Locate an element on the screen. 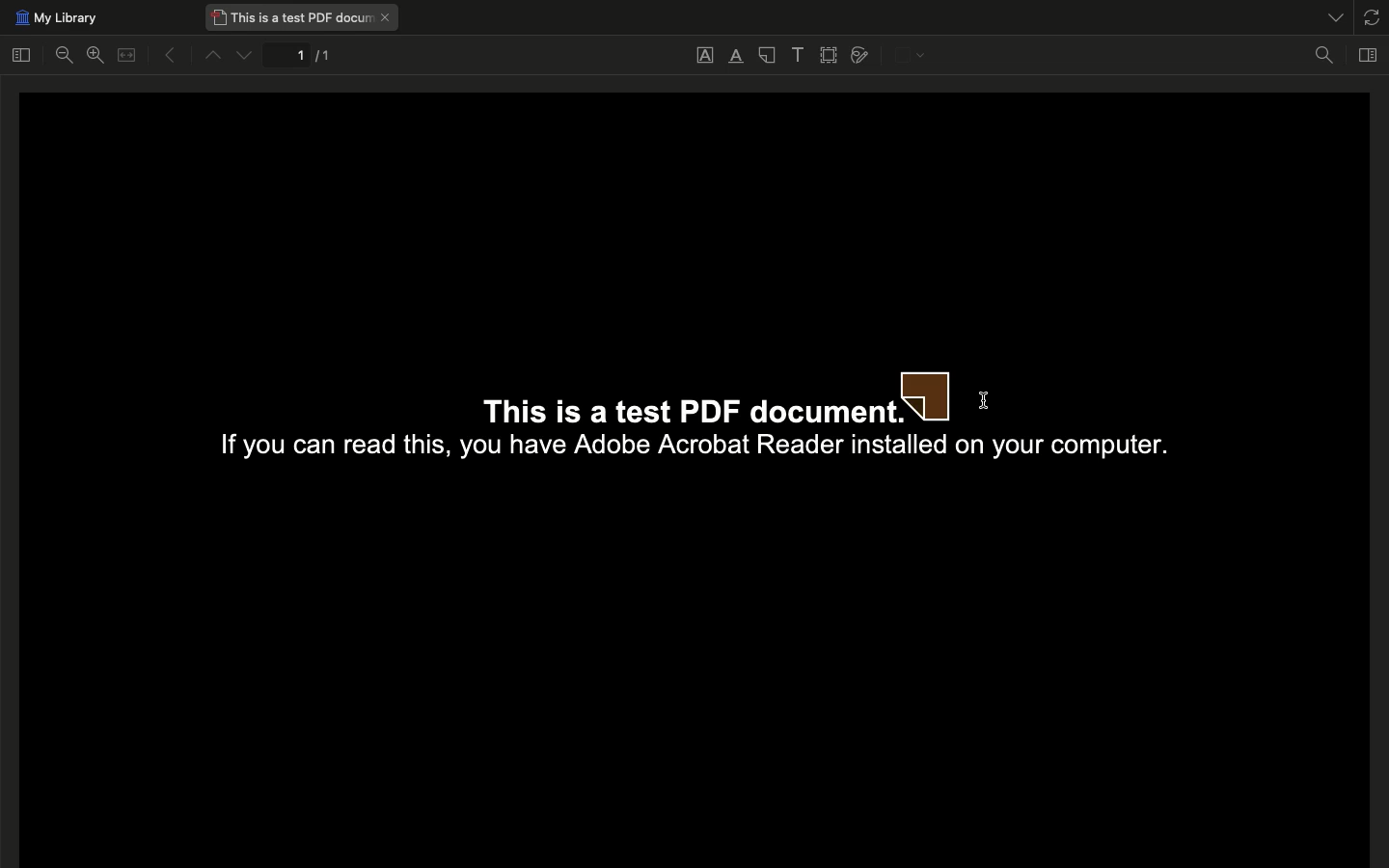 Image resolution: width=1389 pixels, height=868 pixels. My library is located at coordinates (54, 18).